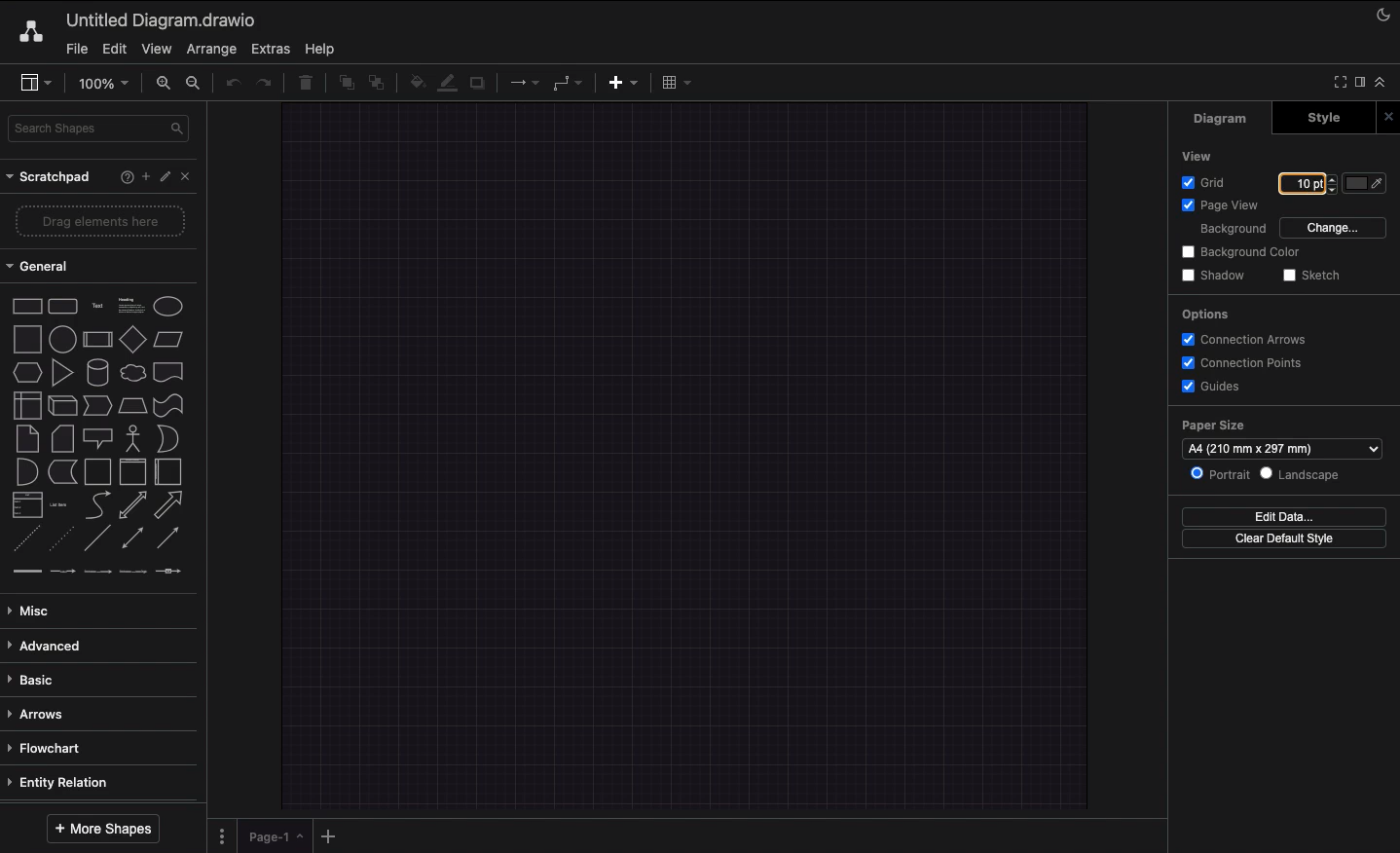 Image resolution: width=1400 pixels, height=853 pixels. What do you see at coordinates (78, 49) in the screenshot?
I see `File` at bounding box center [78, 49].